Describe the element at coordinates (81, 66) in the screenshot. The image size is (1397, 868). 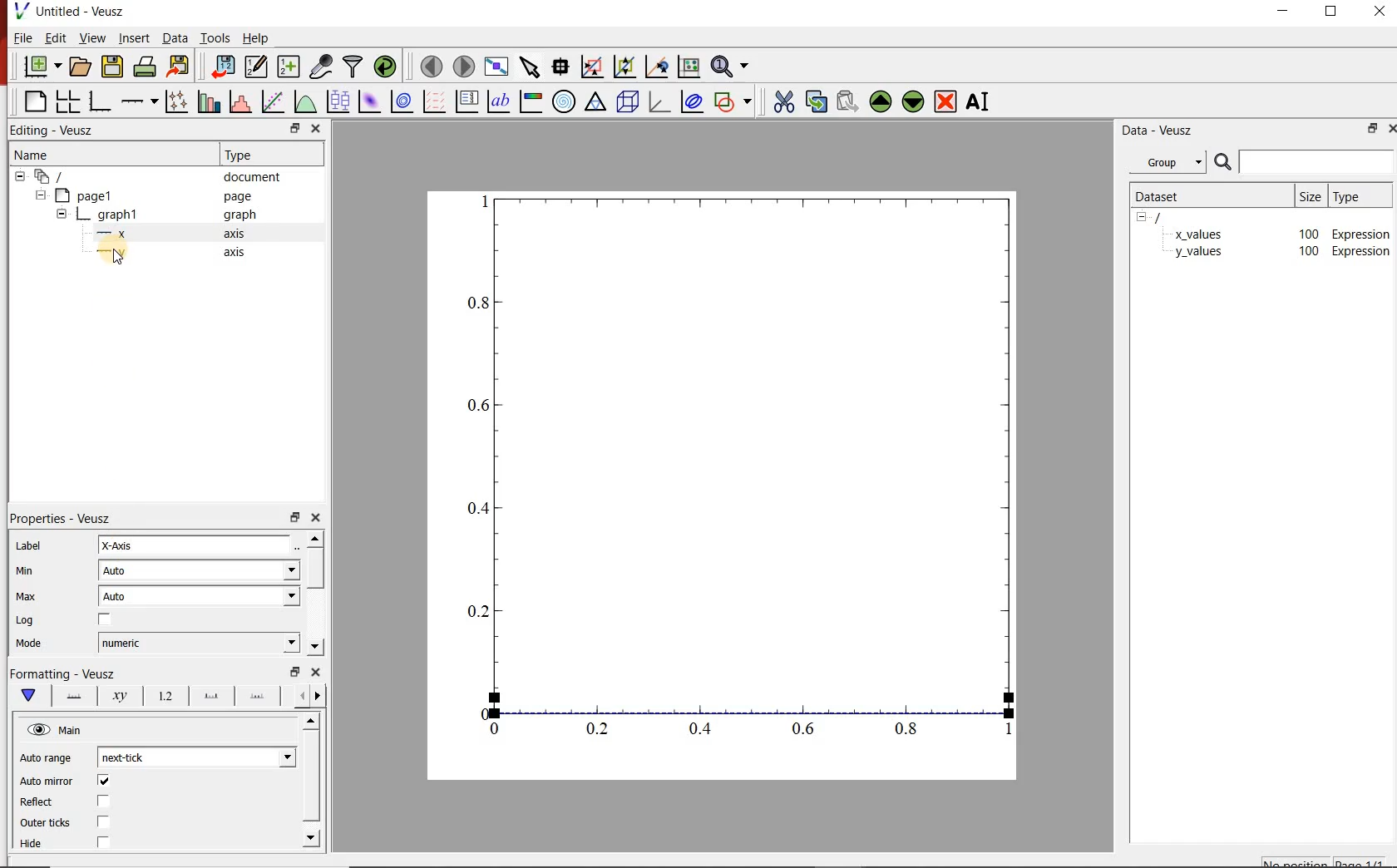
I see `open document` at that location.